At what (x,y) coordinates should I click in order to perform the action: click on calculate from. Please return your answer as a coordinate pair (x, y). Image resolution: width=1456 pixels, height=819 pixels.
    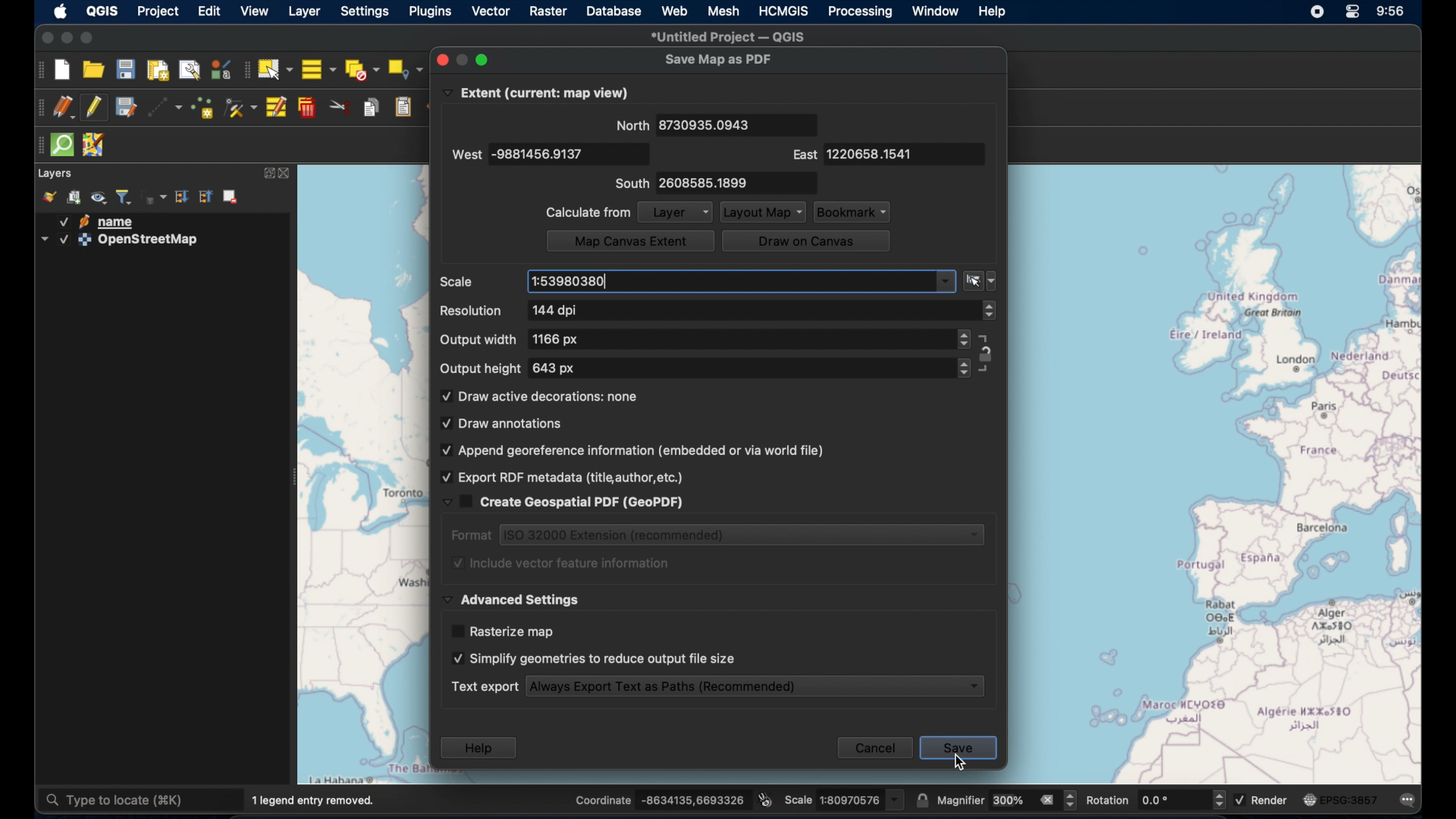
    Looking at the image, I should click on (588, 212).